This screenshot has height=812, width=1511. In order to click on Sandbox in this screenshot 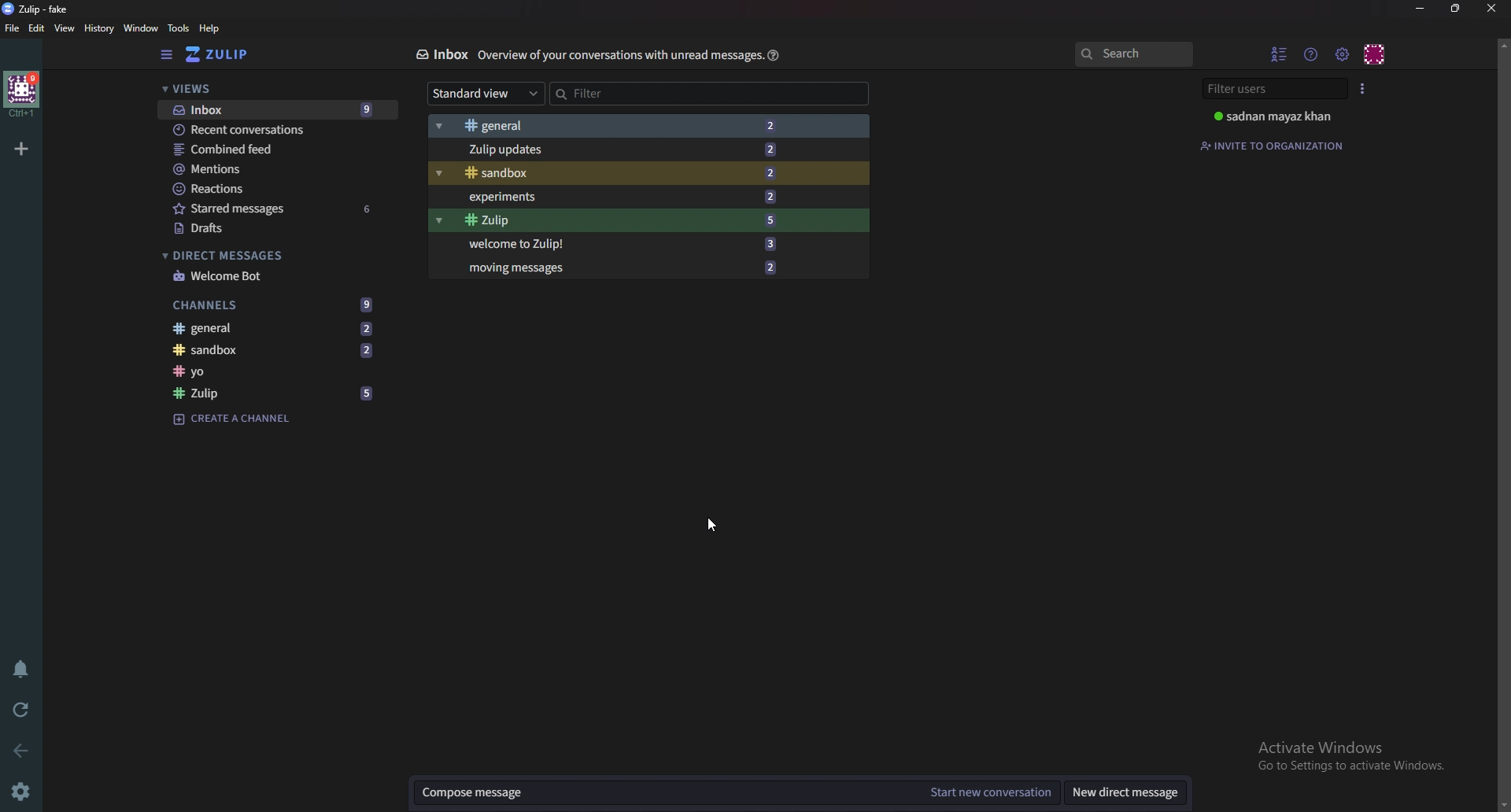, I will do `click(276, 351)`.